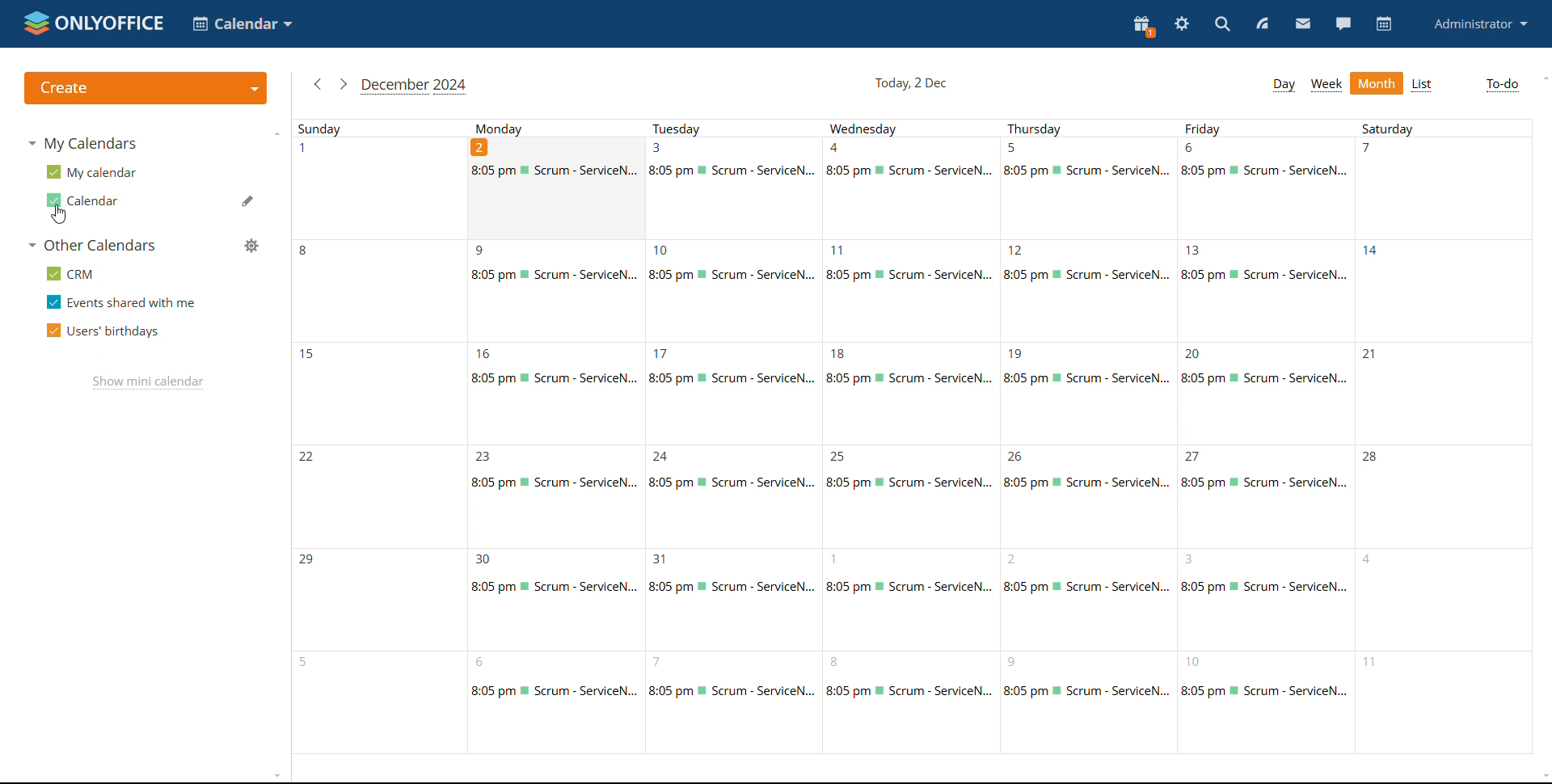 The height and width of the screenshot is (784, 1552). What do you see at coordinates (415, 86) in the screenshot?
I see `current month` at bounding box center [415, 86].